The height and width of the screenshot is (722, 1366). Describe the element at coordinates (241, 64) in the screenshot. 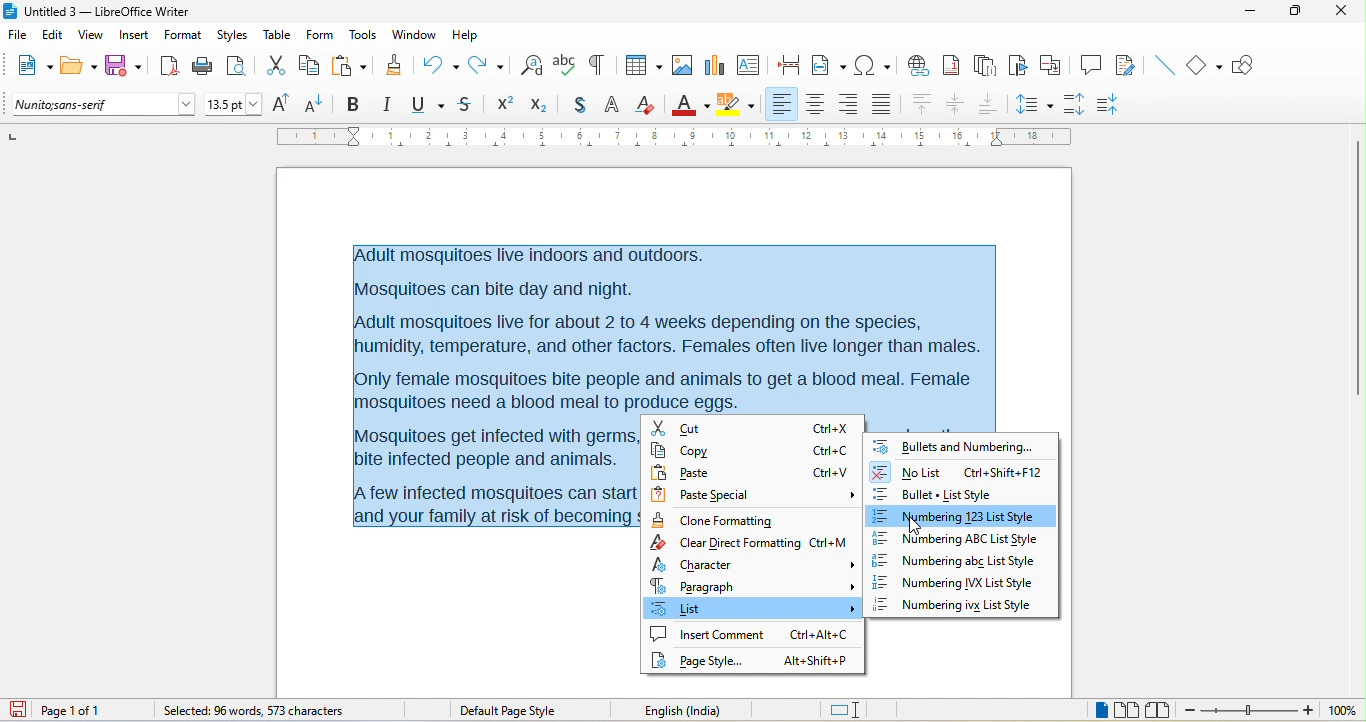

I see `print preview` at that location.